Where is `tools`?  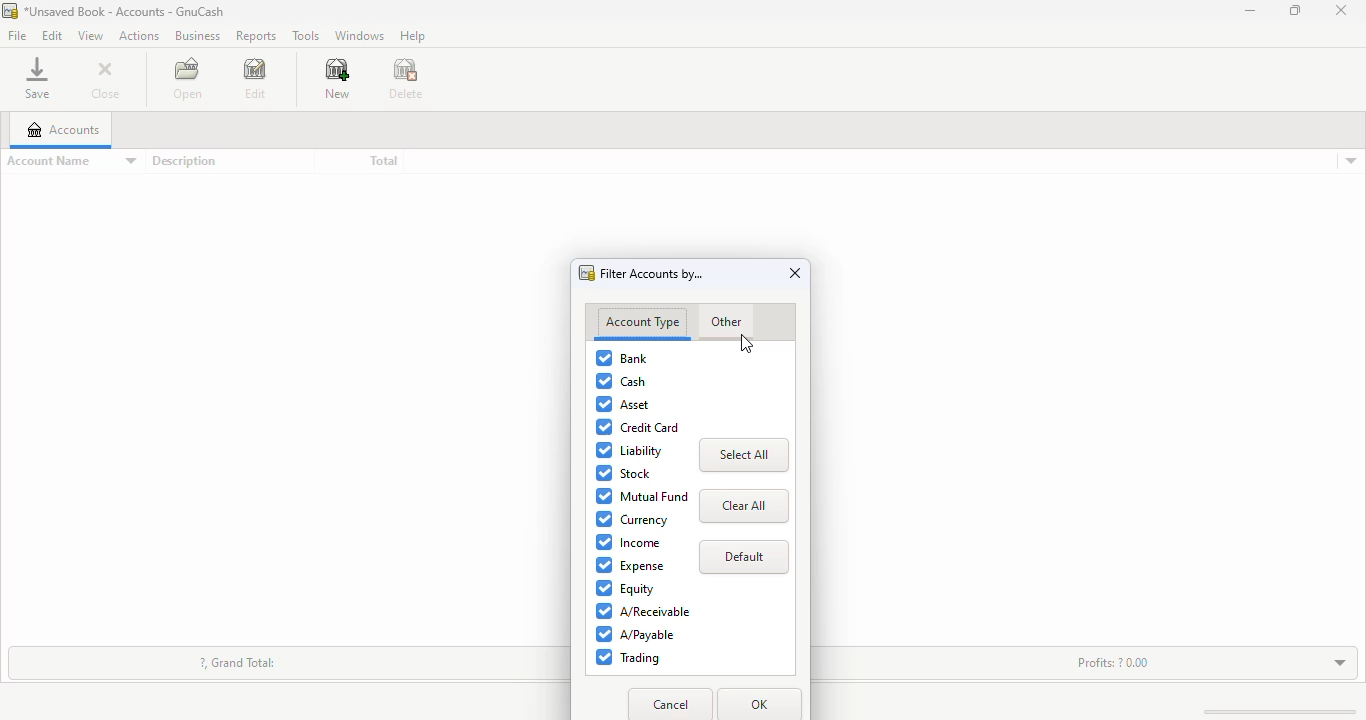 tools is located at coordinates (305, 35).